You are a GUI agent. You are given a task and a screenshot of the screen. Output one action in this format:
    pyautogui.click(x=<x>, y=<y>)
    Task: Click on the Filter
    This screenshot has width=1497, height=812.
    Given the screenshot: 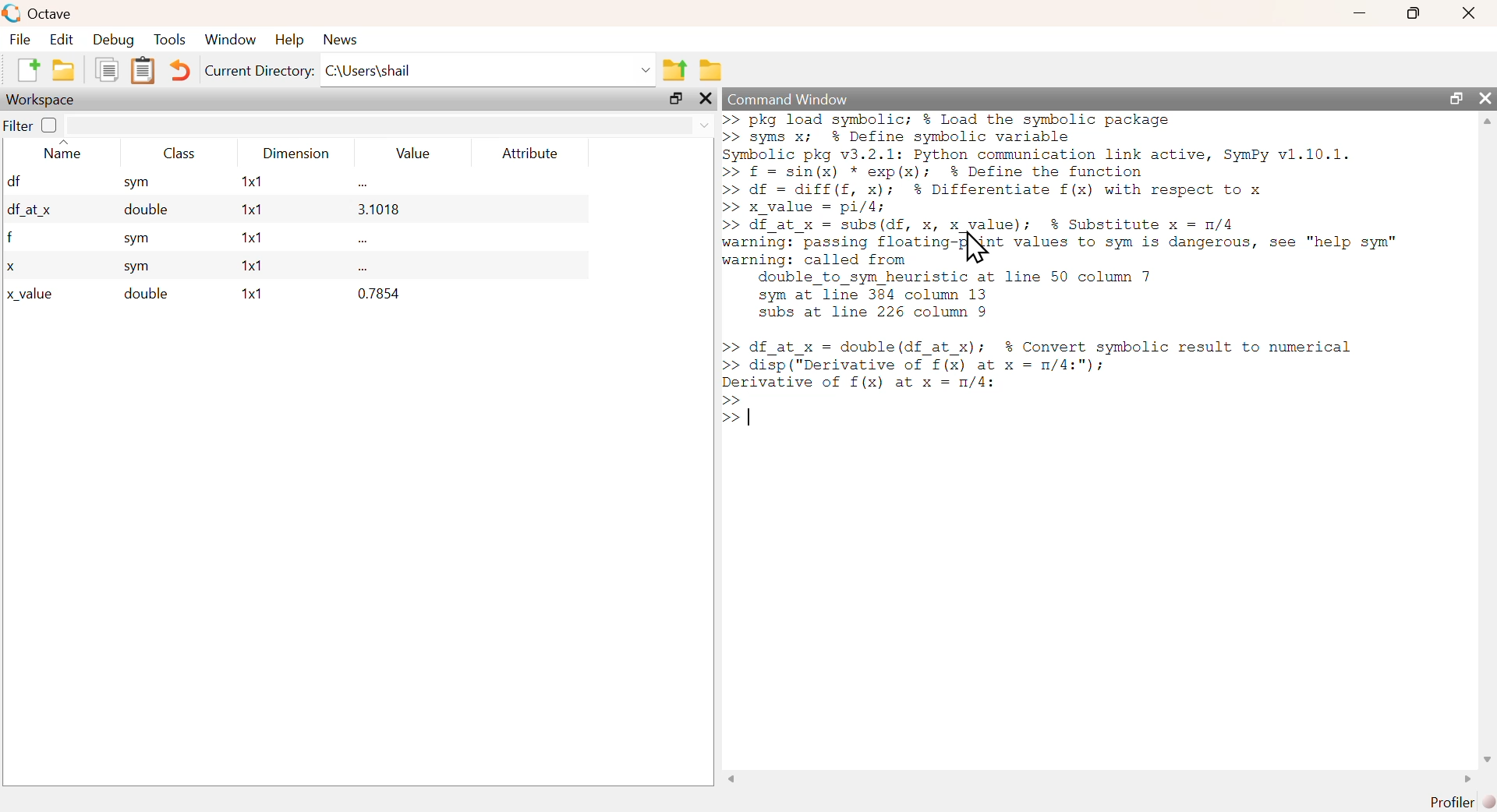 What is the action you would take?
    pyautogui.click(x=30, y=125)
    